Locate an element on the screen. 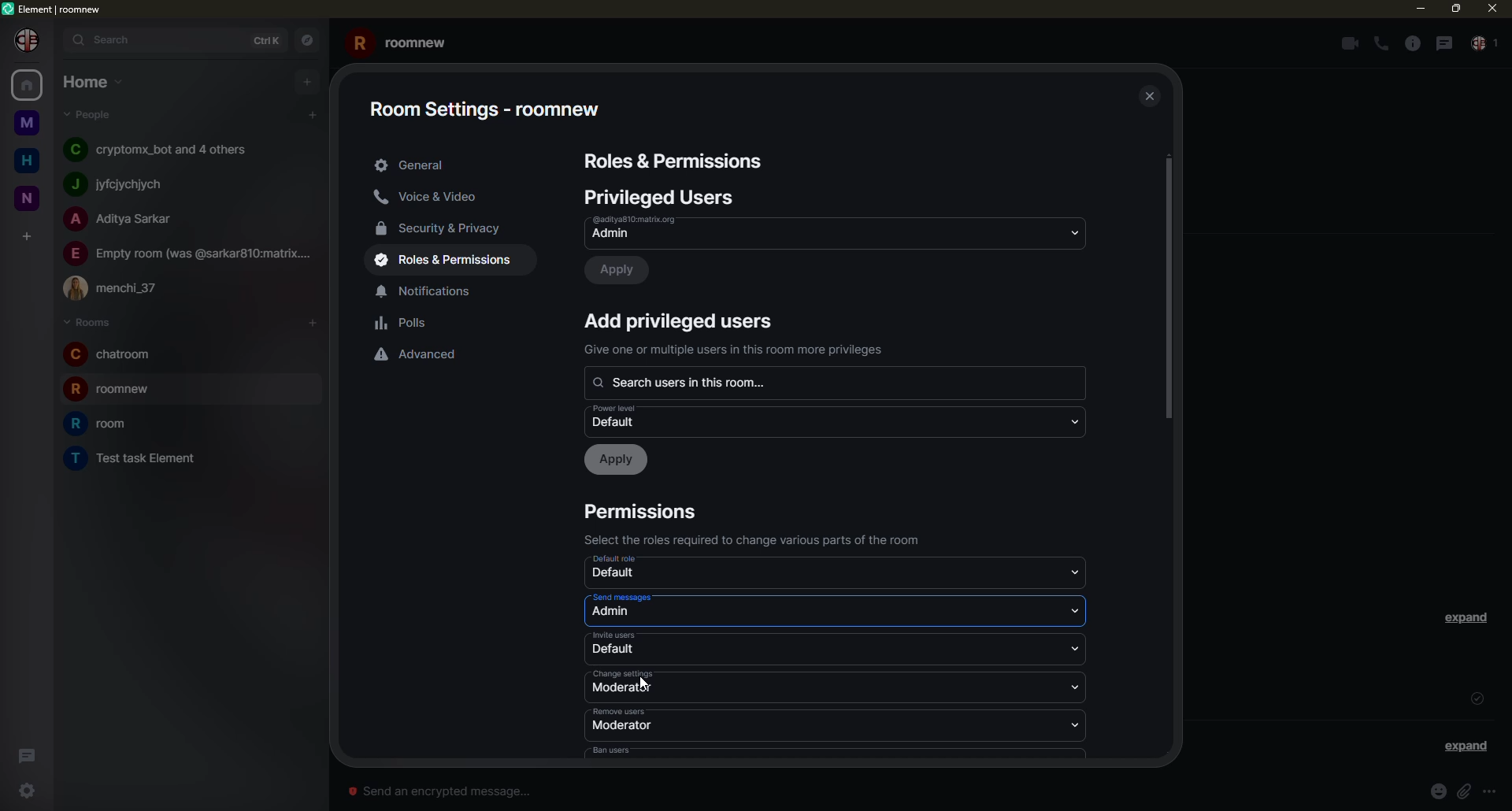 The width and height of the screenshot is (1512, 811). room is located at coordinates (120, 391).